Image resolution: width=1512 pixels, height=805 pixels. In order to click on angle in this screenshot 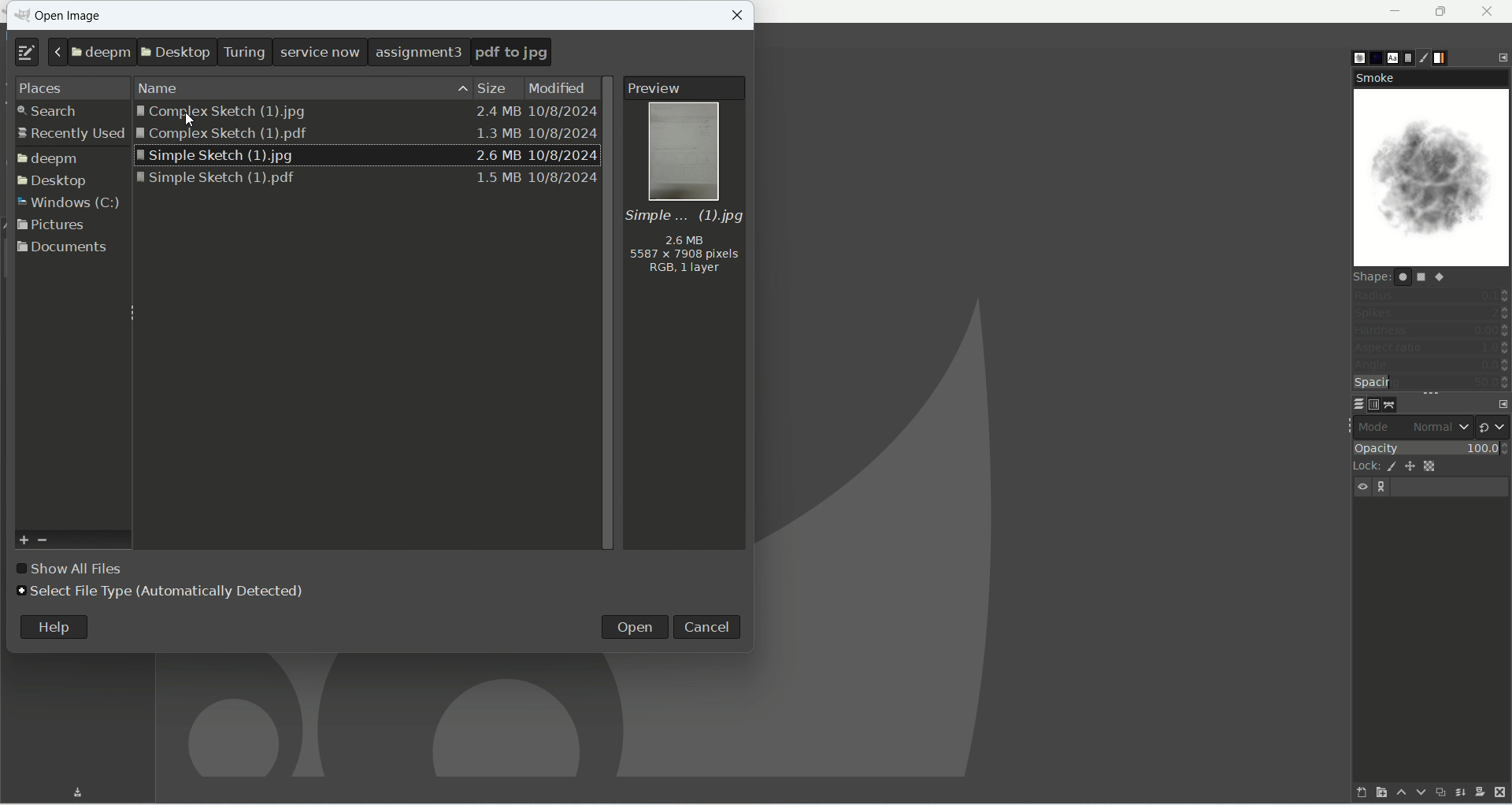, I will do `click(1431, 364)`.